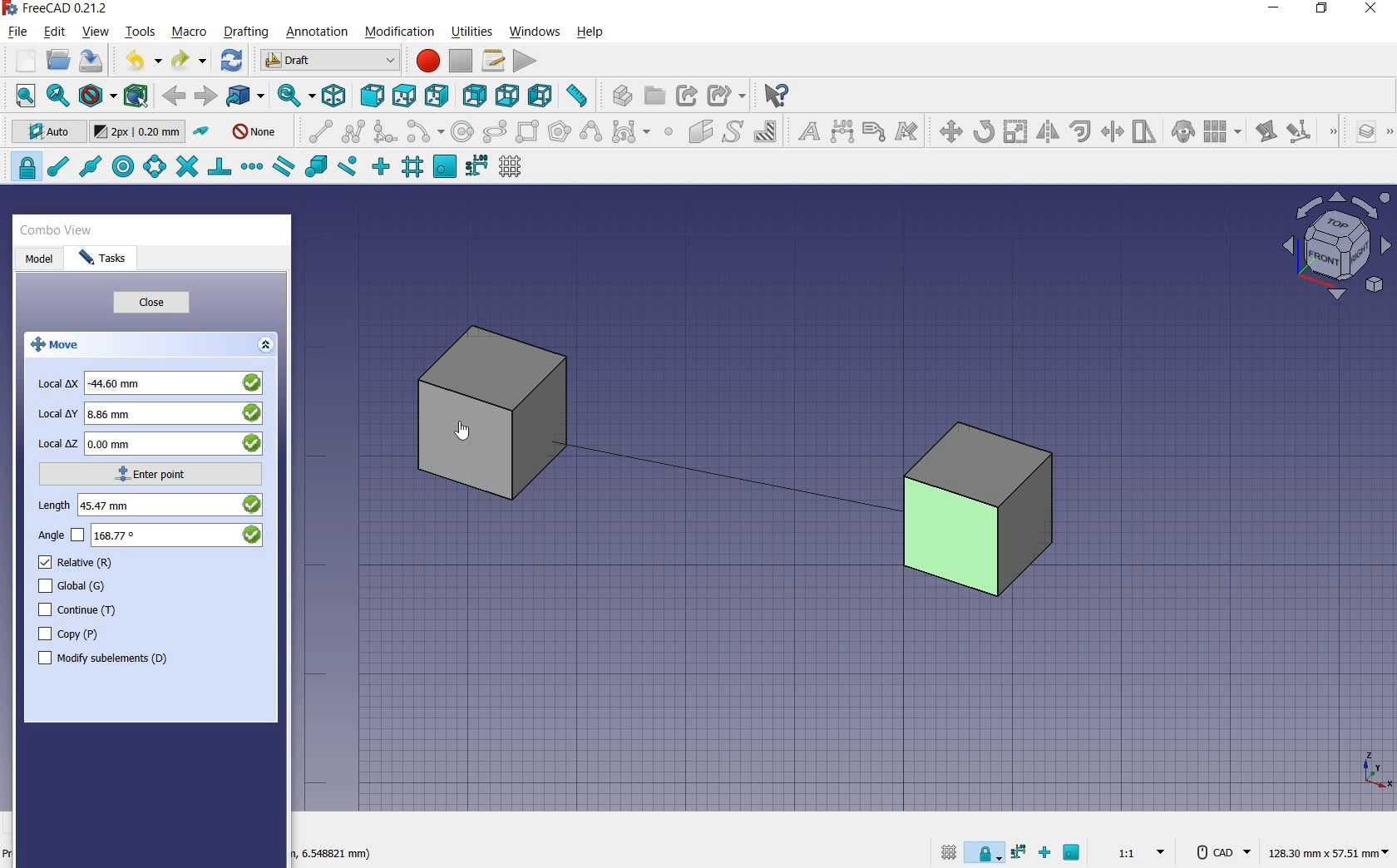 This screenshot has height=868, width=1397. Describe the element at coordinates (254, 133) in the screenshot. I see `autogroup off` at that location.